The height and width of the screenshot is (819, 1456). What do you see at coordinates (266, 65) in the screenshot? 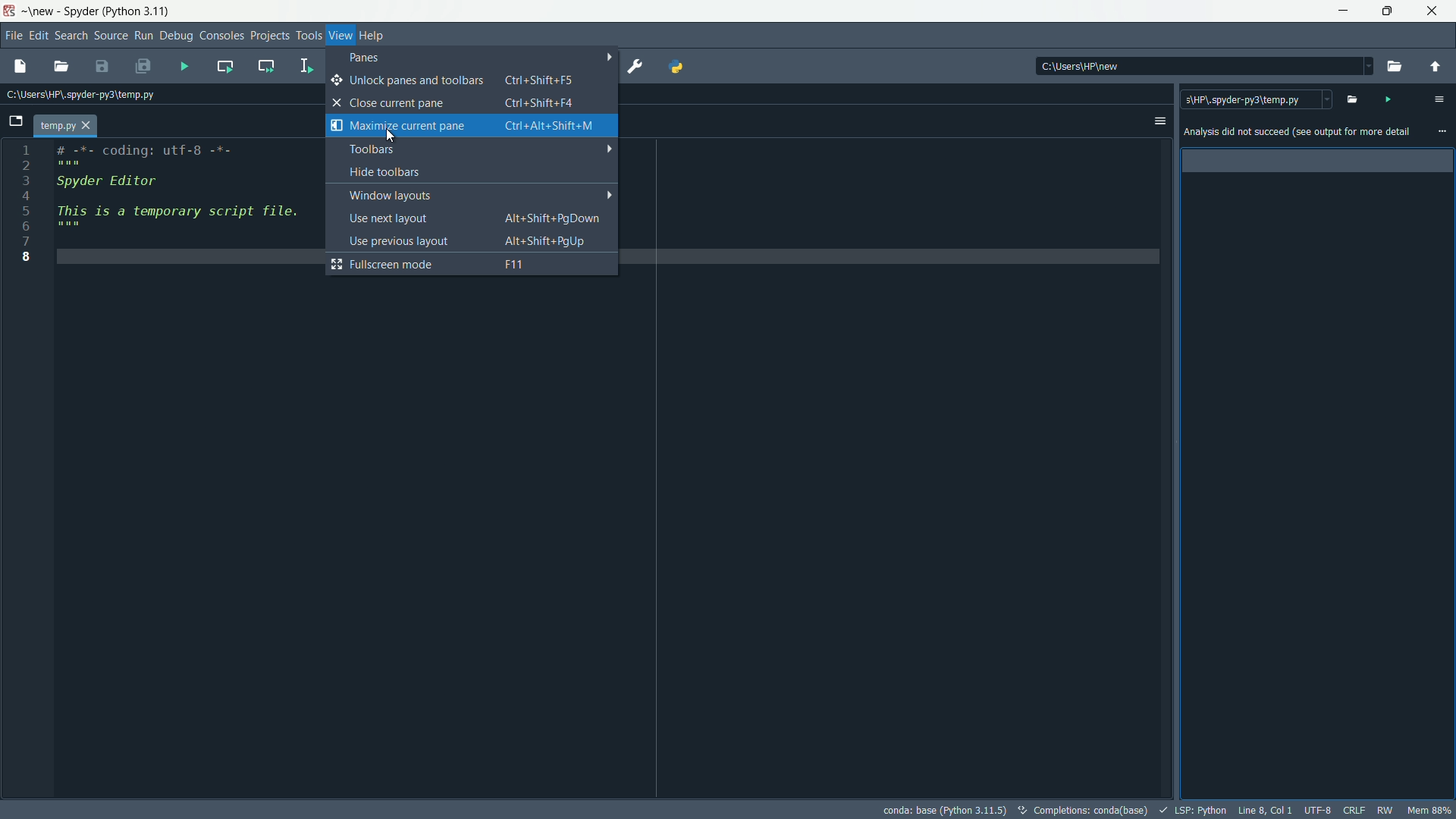
I see `run current cell and go to the next one` at bounding box center [266, 65].